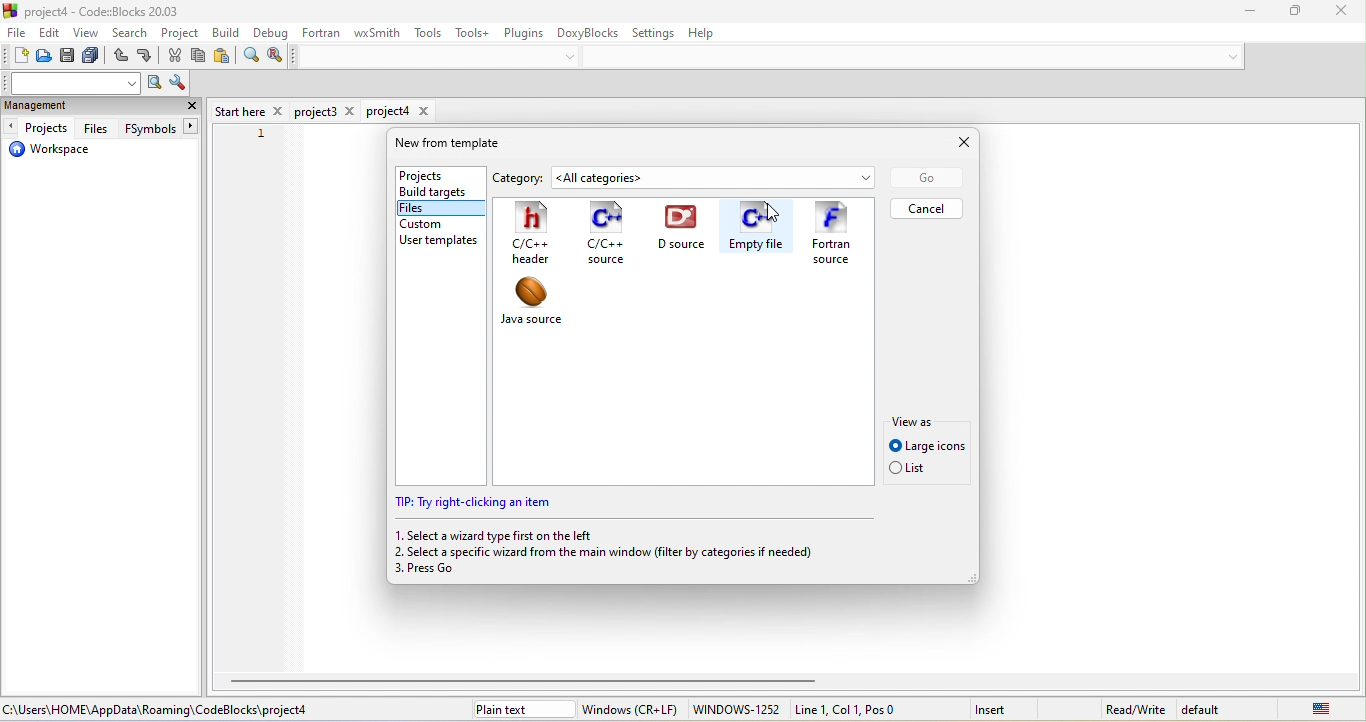 The width and height of the screenshot is (1366, 722). Describe the element at coordinates (736, 710) in the screenshot. I see `windows-1252` at that location.